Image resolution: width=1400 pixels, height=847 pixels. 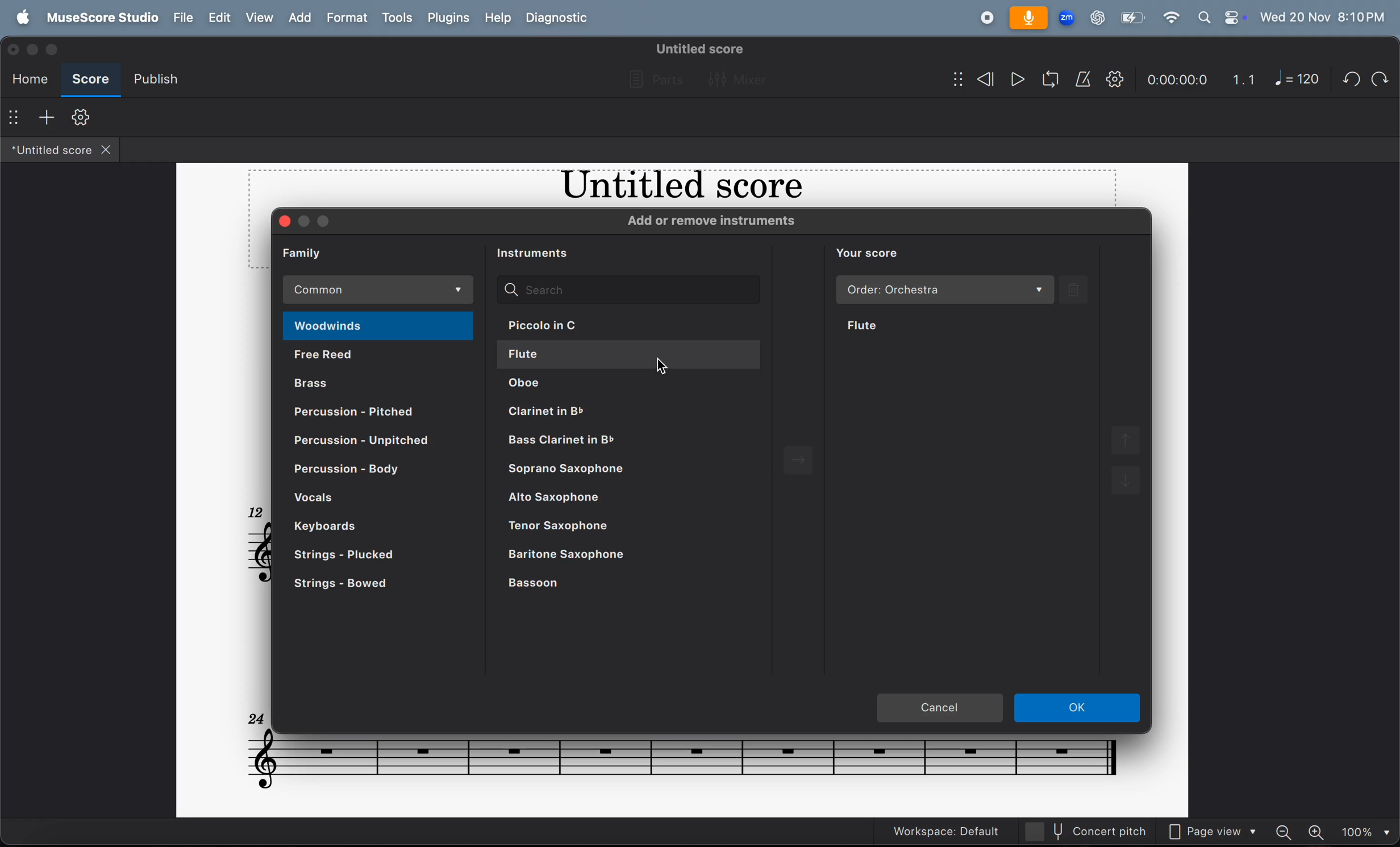 What do you see at coordinates (376, 443) in the screenshot?
I see `percusion unpitched` at bounding box center [376, 443].